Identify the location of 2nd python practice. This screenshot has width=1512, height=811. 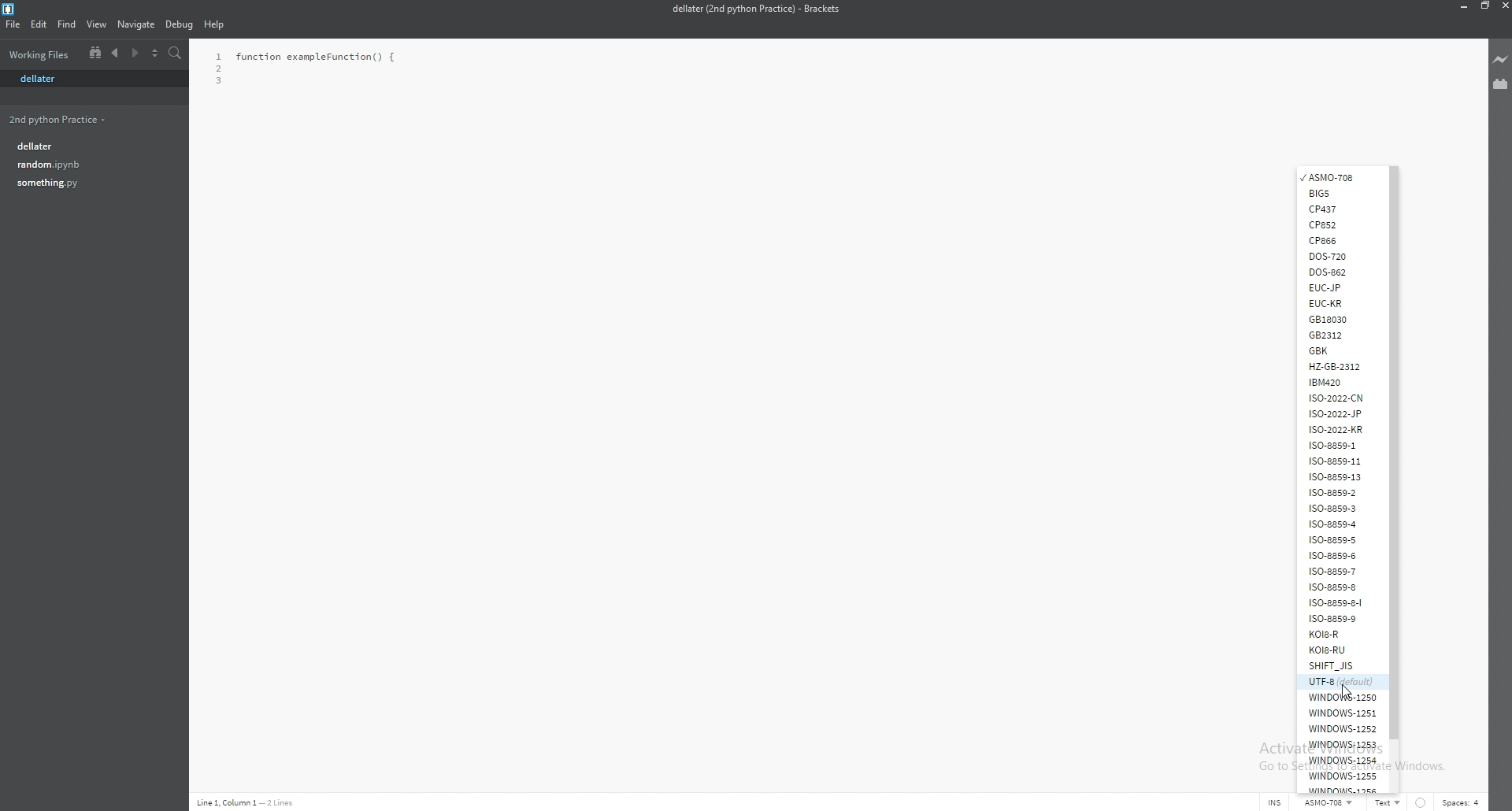
(58, 120).